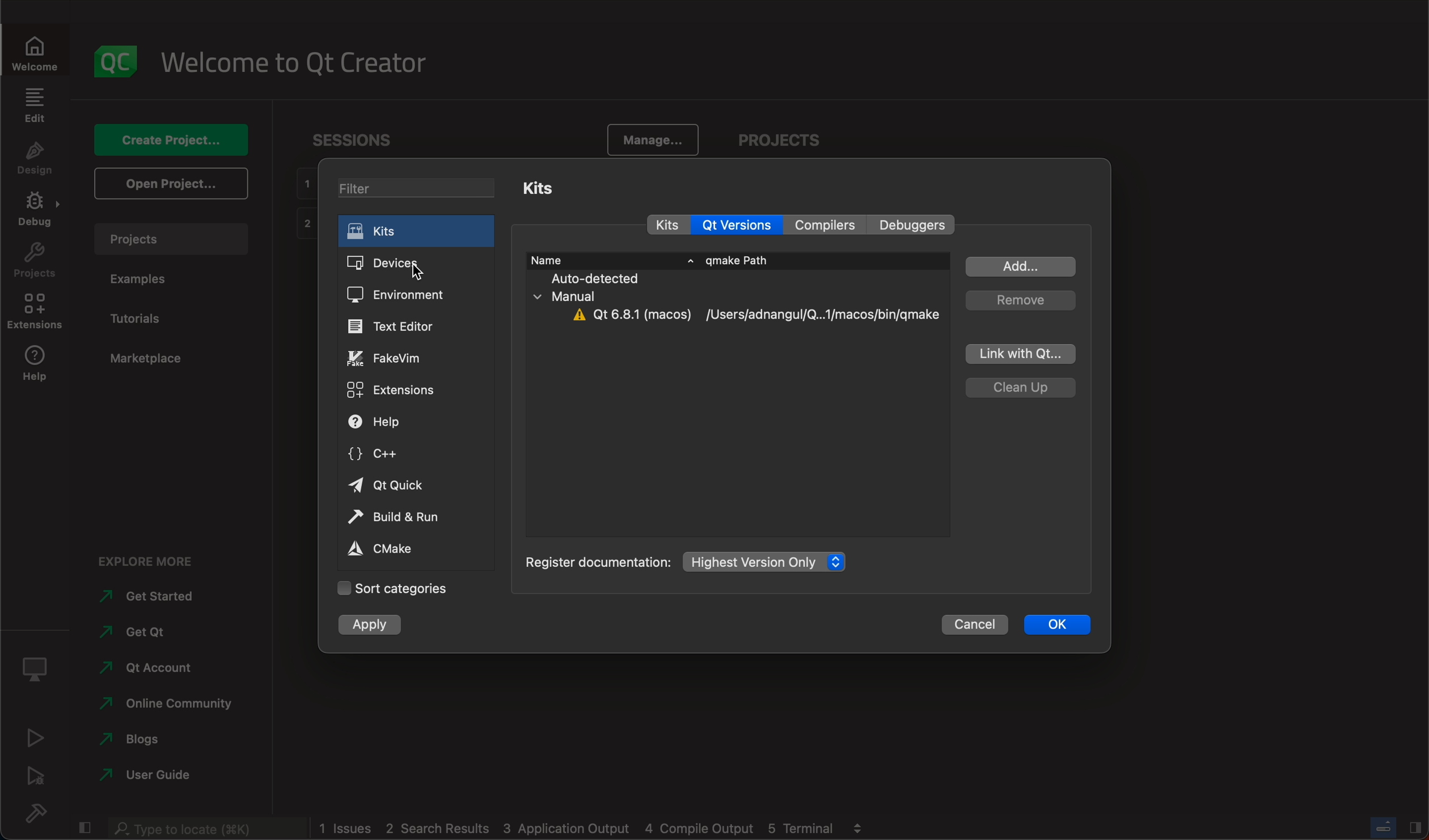  I want to click on ok, so click(1065, 626).